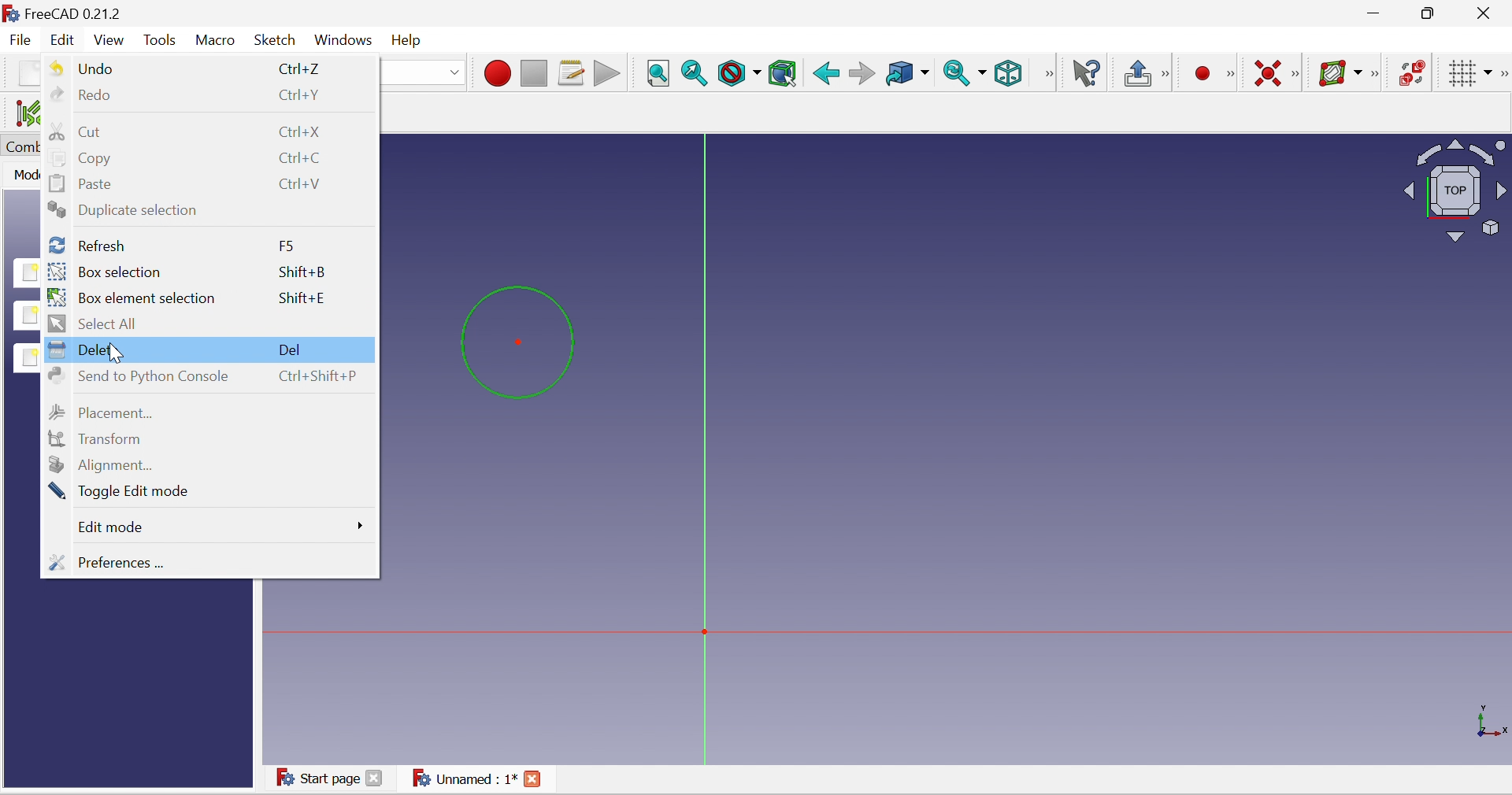  I want to click on Tools, so click(163, 39).